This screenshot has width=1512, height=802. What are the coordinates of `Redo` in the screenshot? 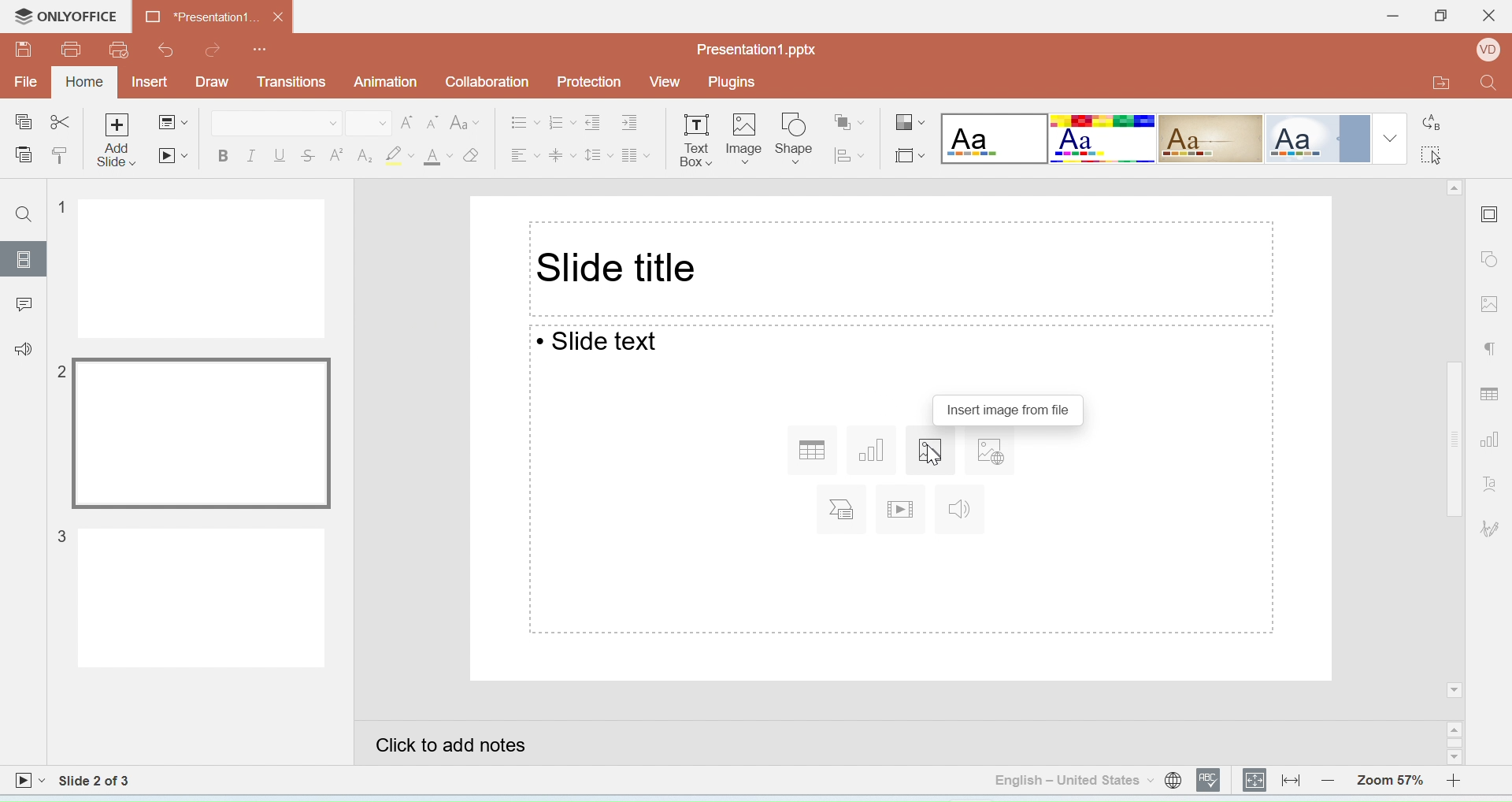 It's located at (214, 50).